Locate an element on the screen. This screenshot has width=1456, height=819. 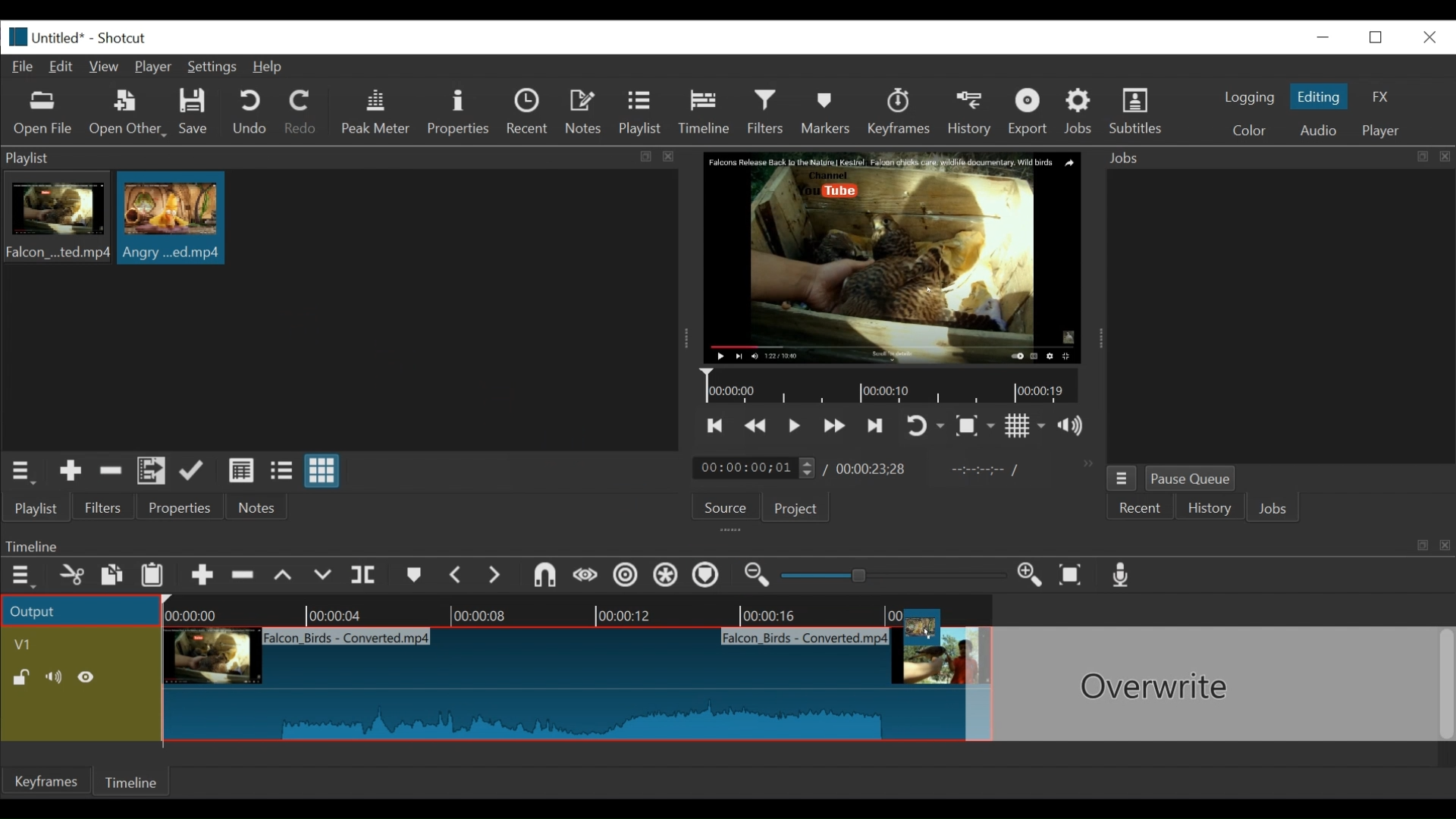
view as icons is located at coordinates (320, 472).